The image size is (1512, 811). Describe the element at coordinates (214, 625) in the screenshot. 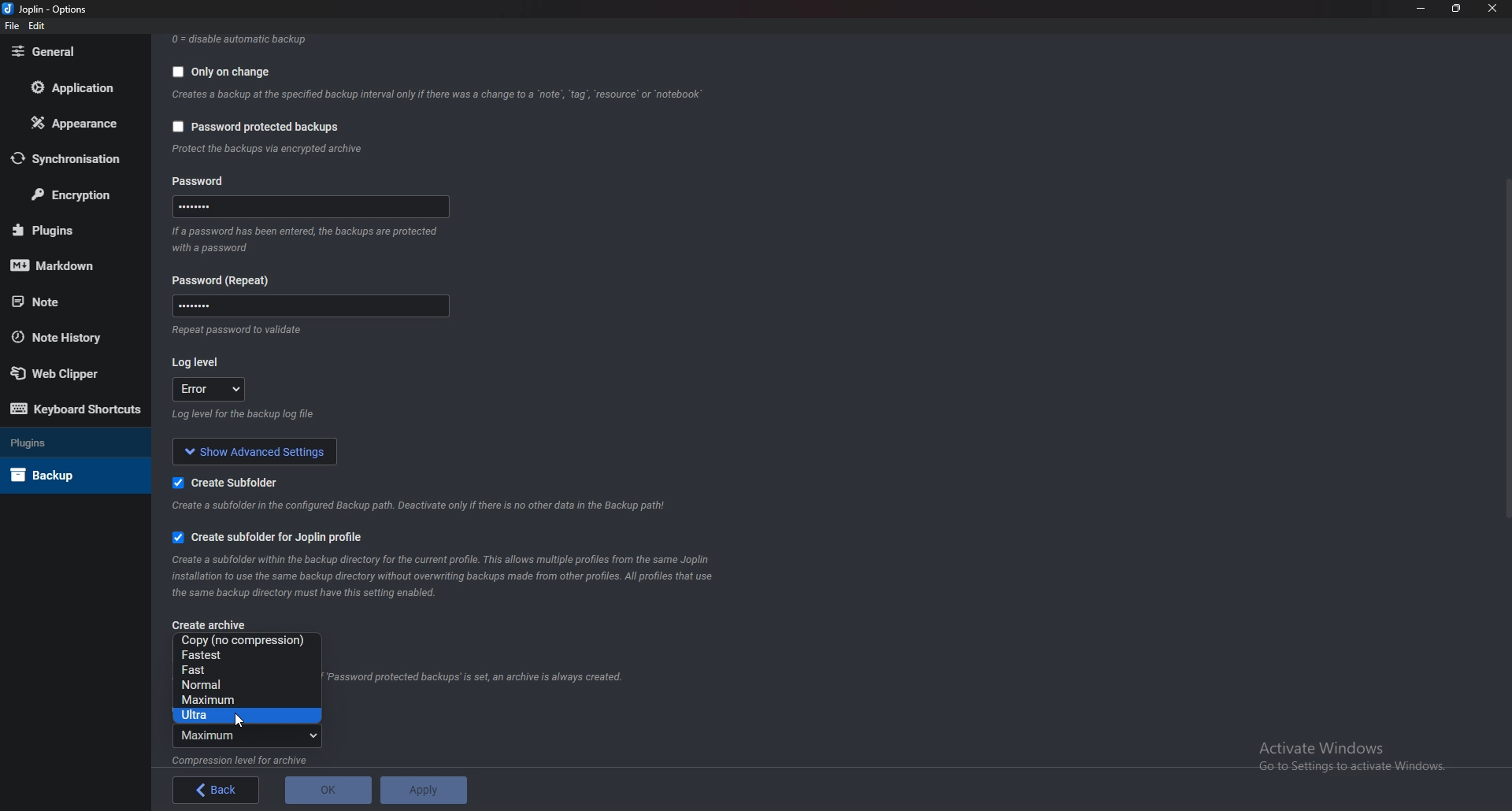

I see `Create archive` at that location.